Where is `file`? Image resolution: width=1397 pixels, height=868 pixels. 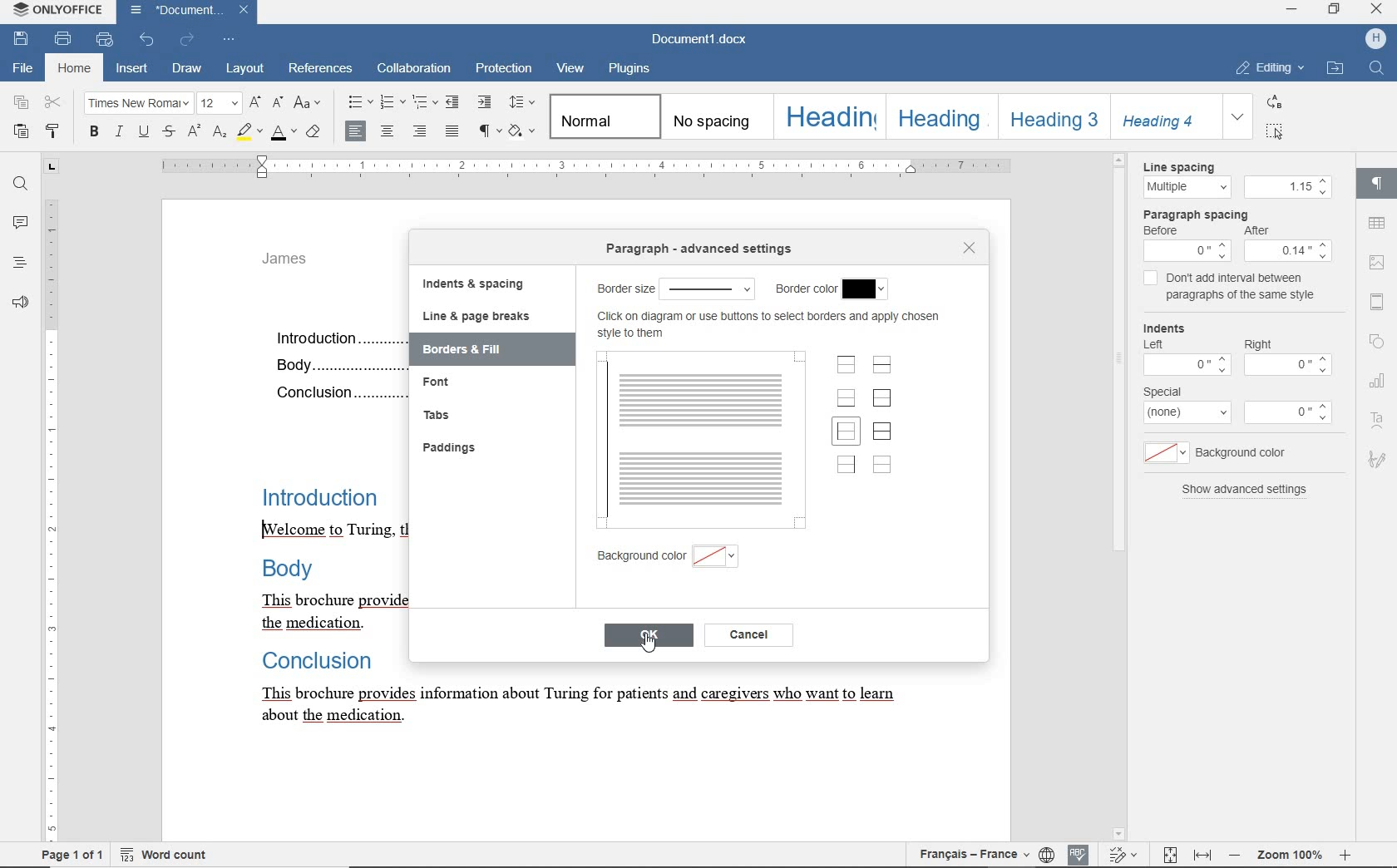 file is located at coordinates (25, 70).